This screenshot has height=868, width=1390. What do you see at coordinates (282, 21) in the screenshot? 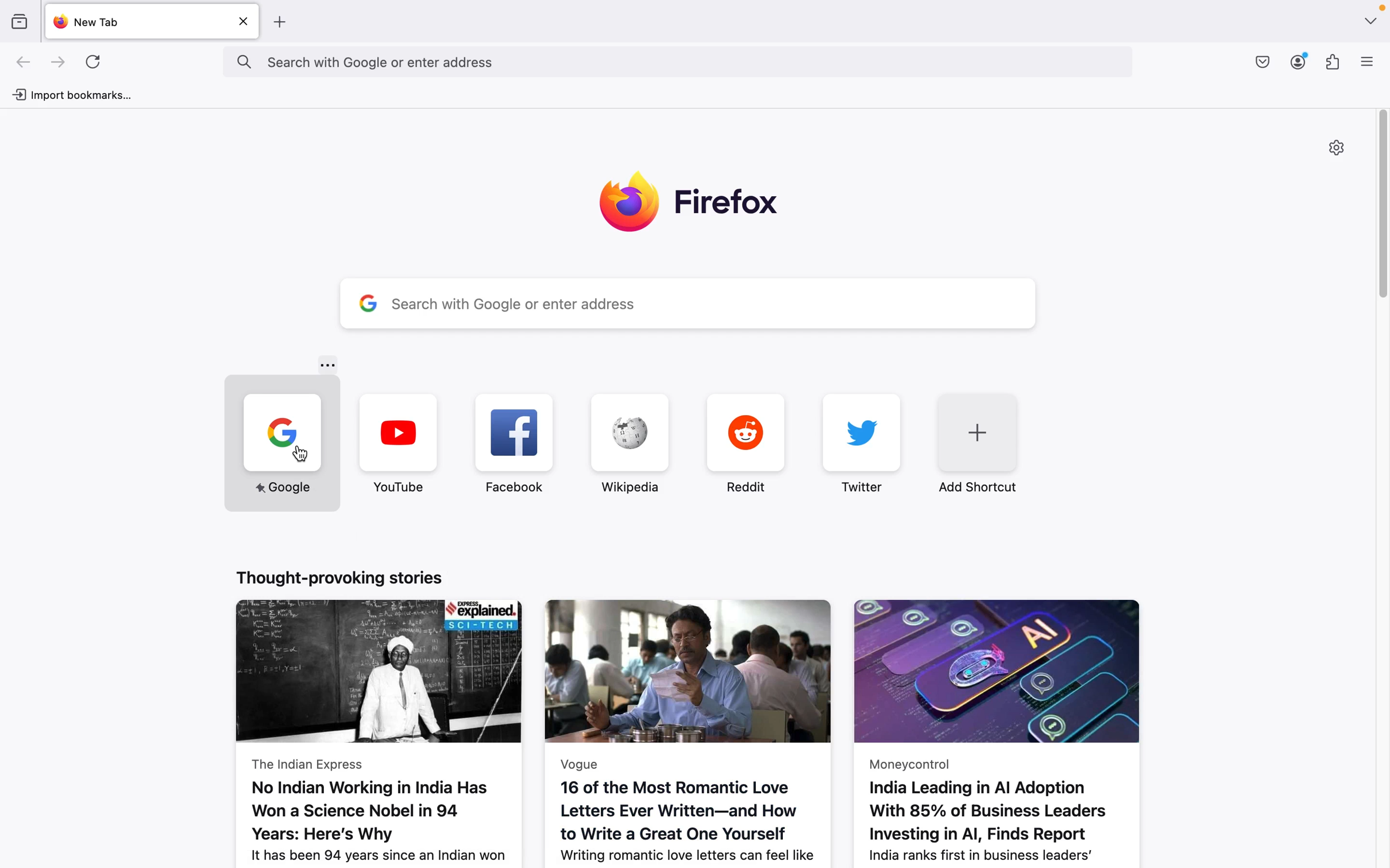
I see `add tab` at bounding box center [282, 21].